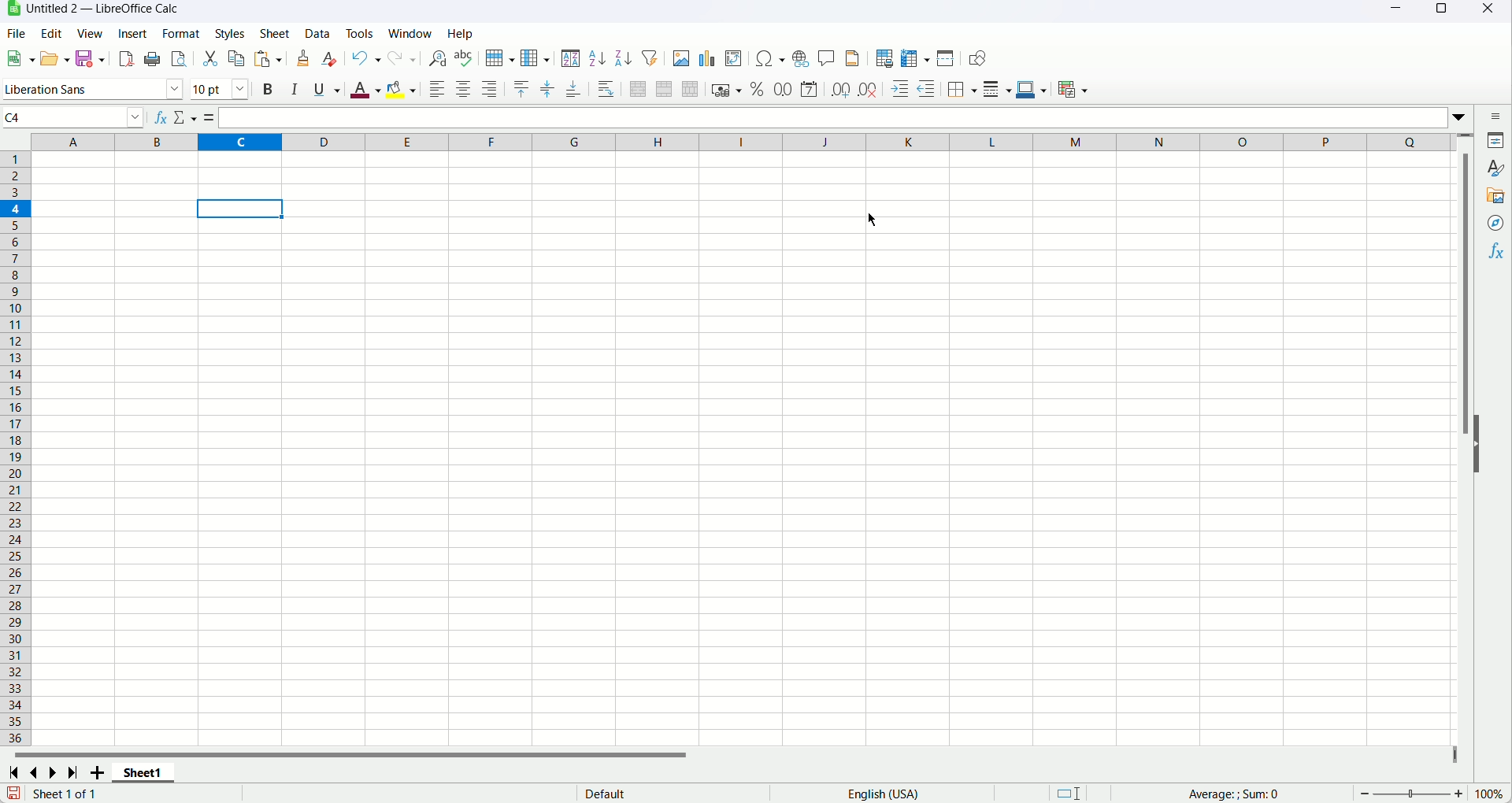  I want to click on Insert, so click(132, 34).